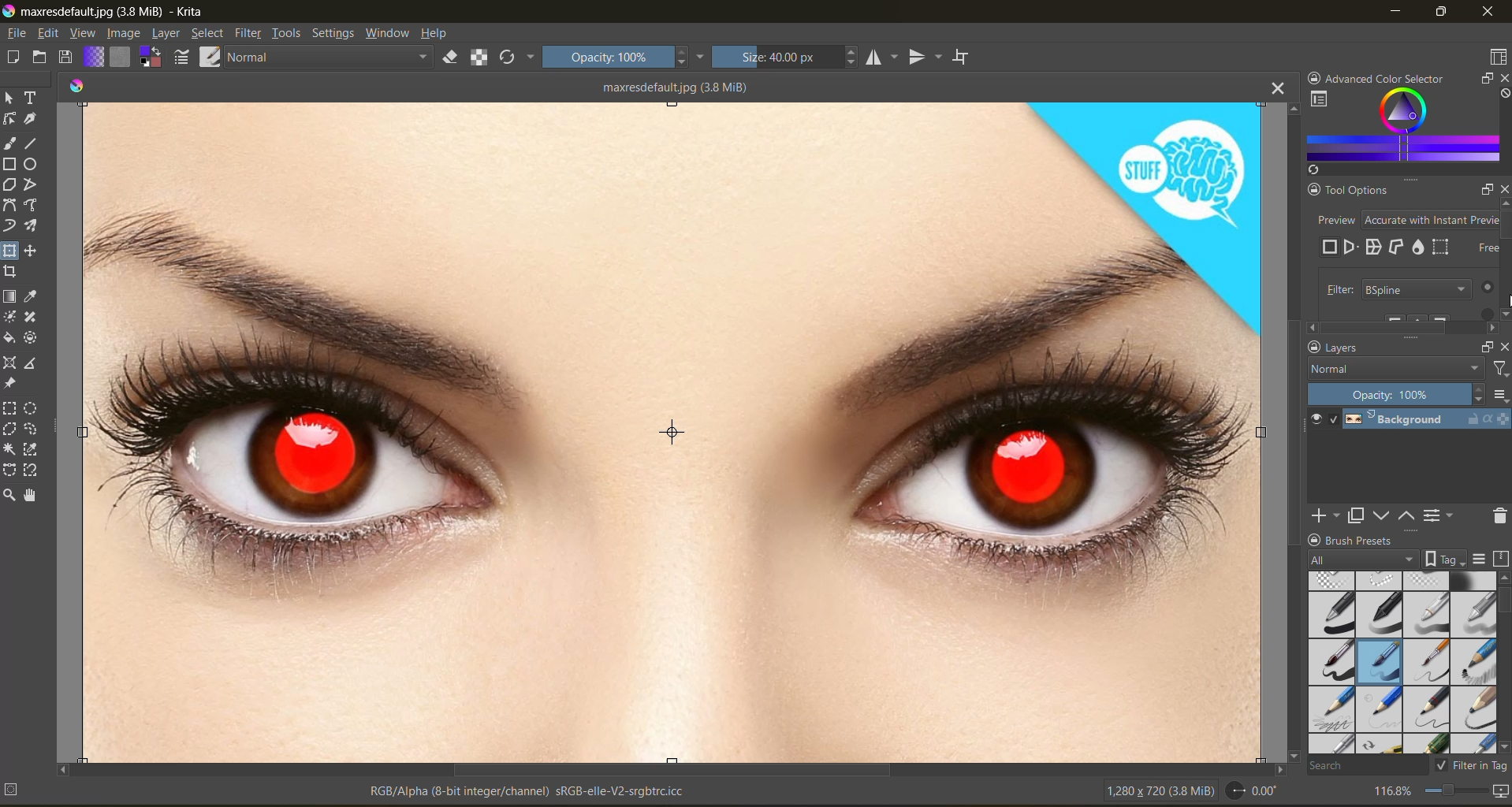  I want to click on fill patterns, so click(123, 58).